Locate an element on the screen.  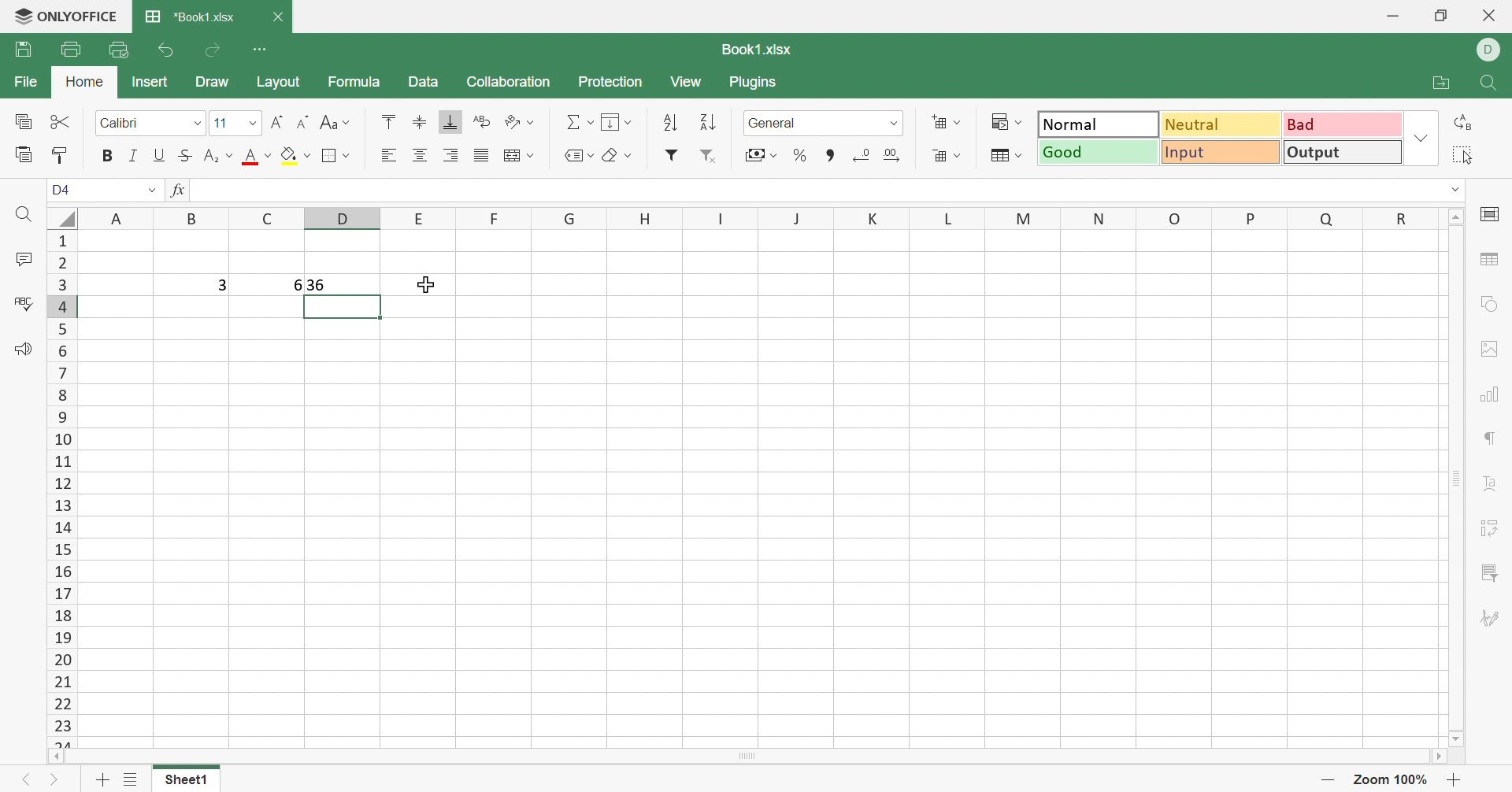
Slicer settings is located at coordinates (1492, 573).